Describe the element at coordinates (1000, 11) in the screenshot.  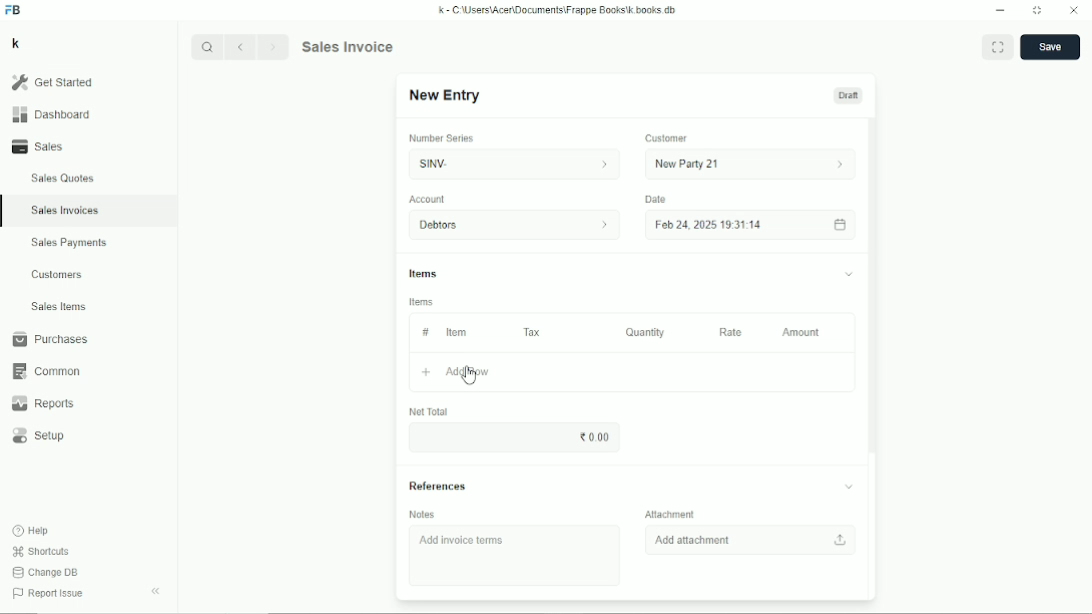
I see `Minimize` at that location.